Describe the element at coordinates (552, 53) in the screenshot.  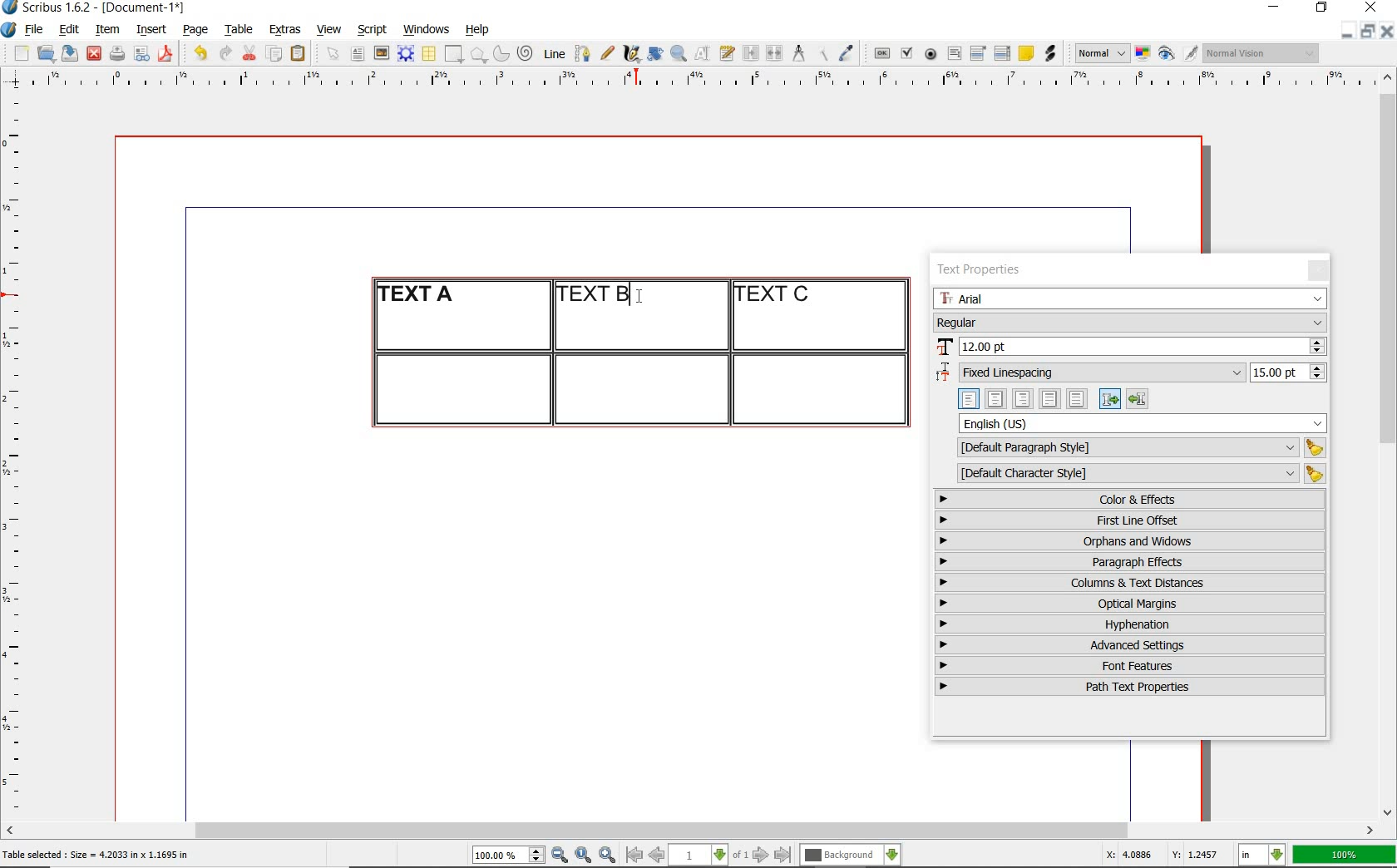
I see `line` at that location.